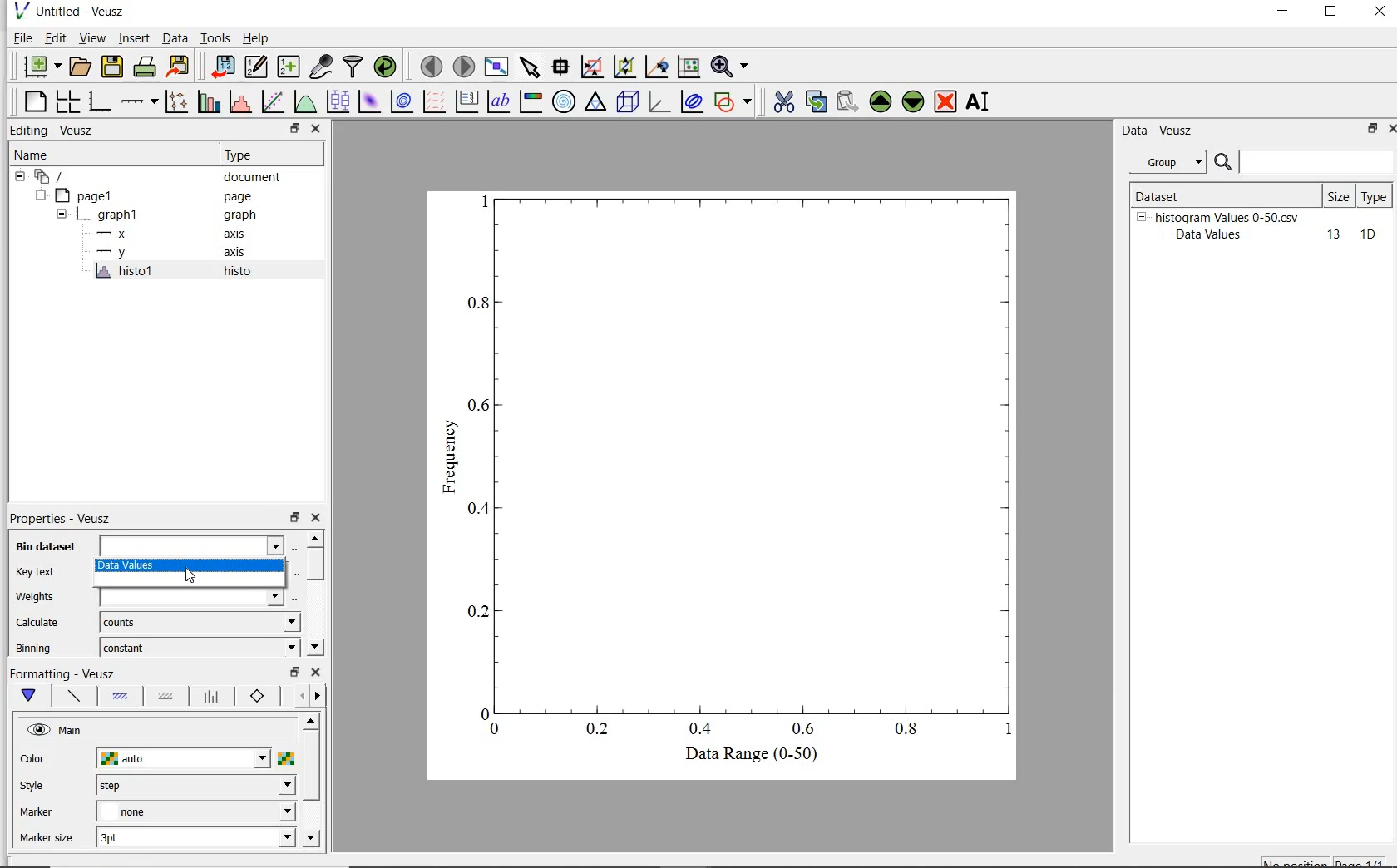 This screenshot has width=1397, height=868. I want to click on text label, so click(501, 100).